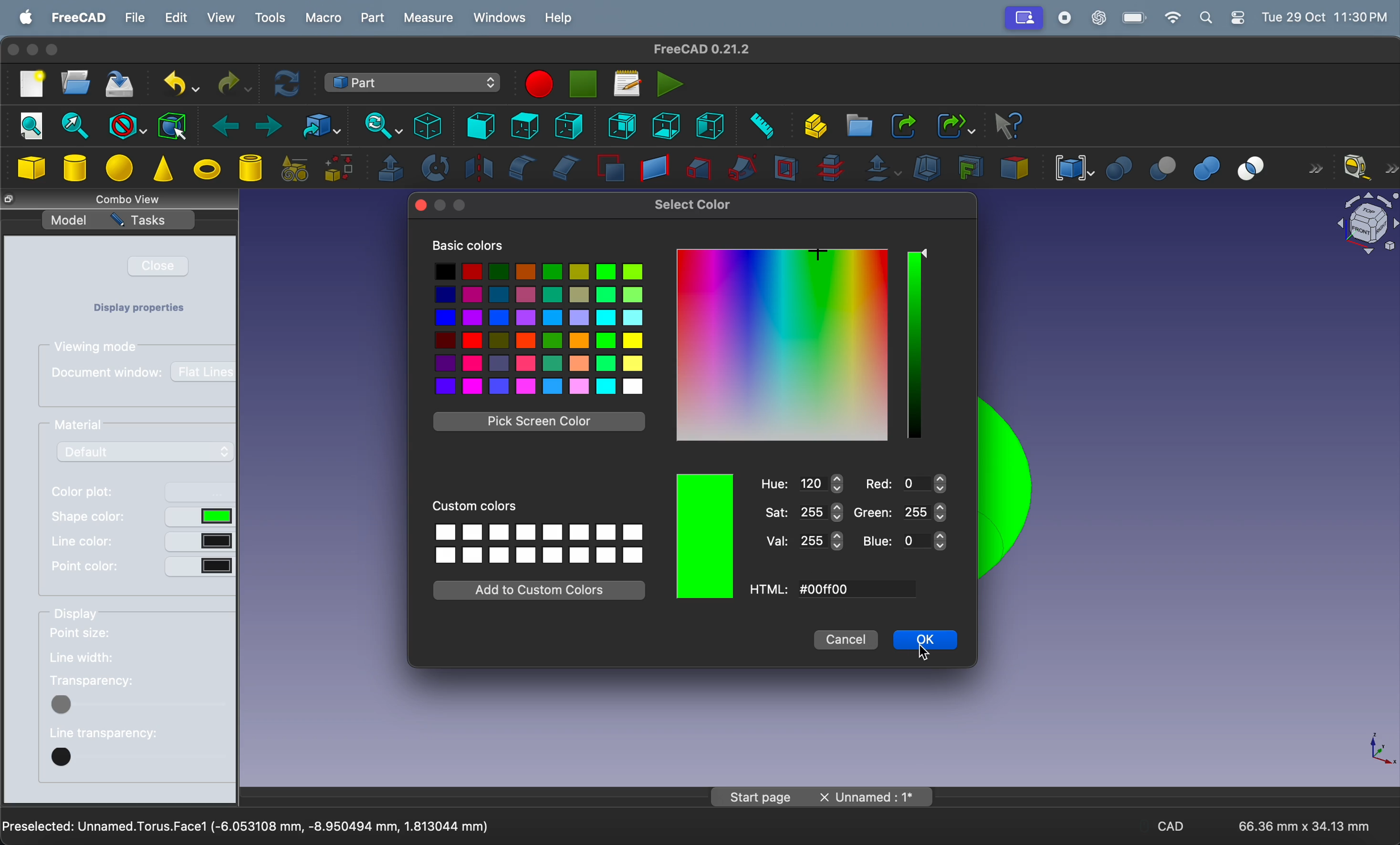  What do you see at coordinates (177, 18) in the screenshot?
I see `edit` at bounding box center [177, 18].